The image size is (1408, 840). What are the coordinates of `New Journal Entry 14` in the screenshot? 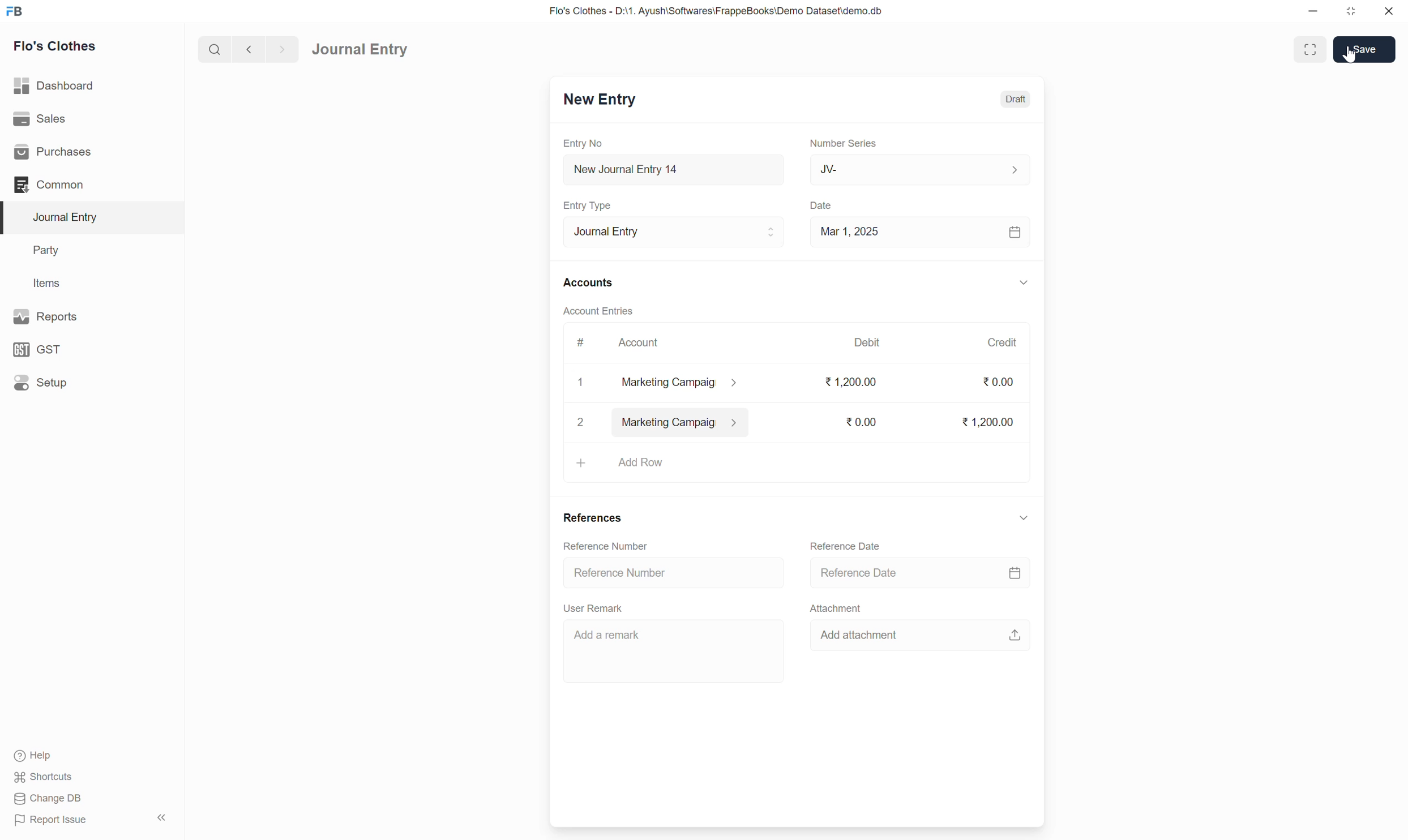 It's located at (646, 170).